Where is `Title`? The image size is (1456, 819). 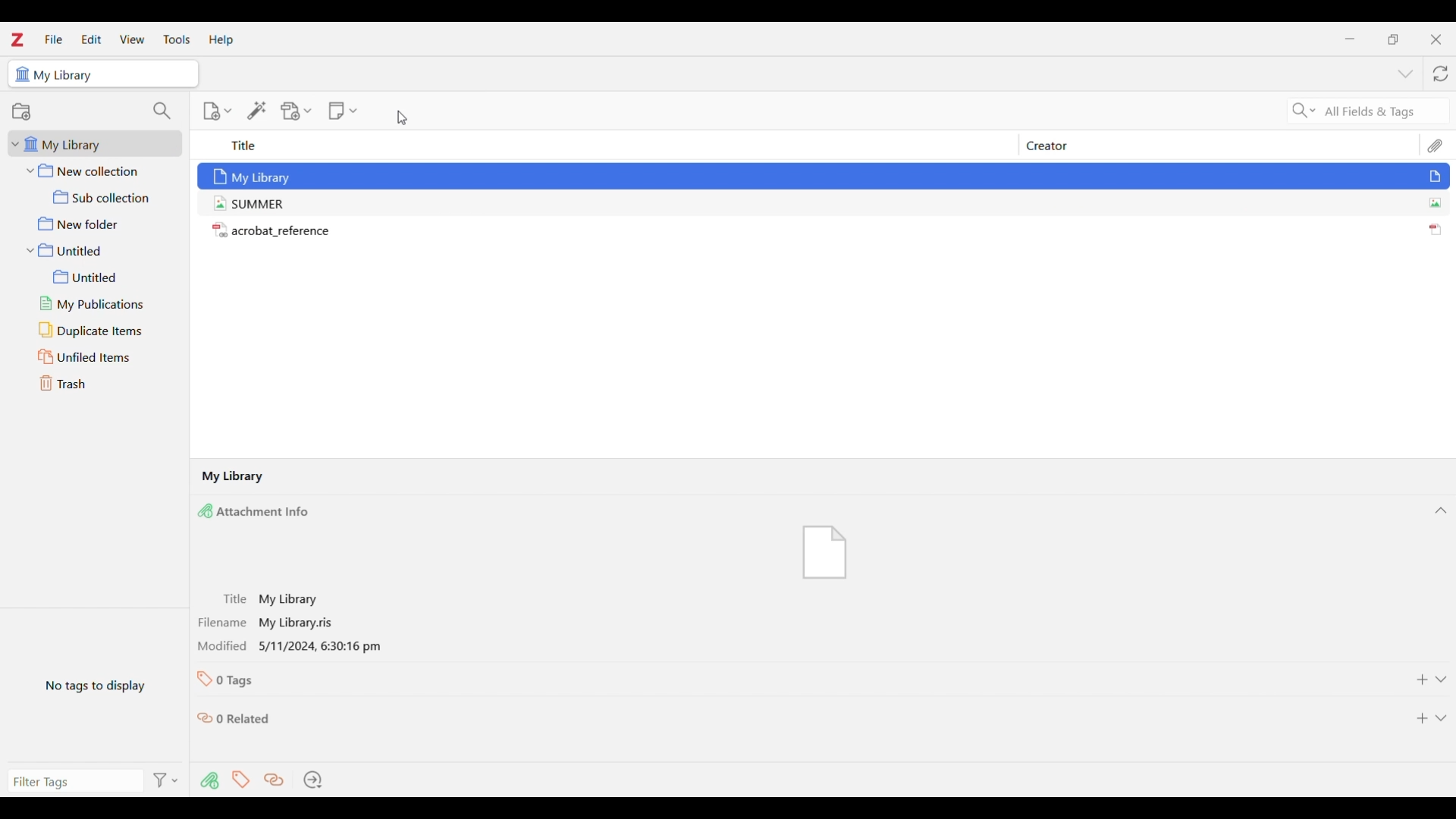
Title is located at coordinates (399, 146).